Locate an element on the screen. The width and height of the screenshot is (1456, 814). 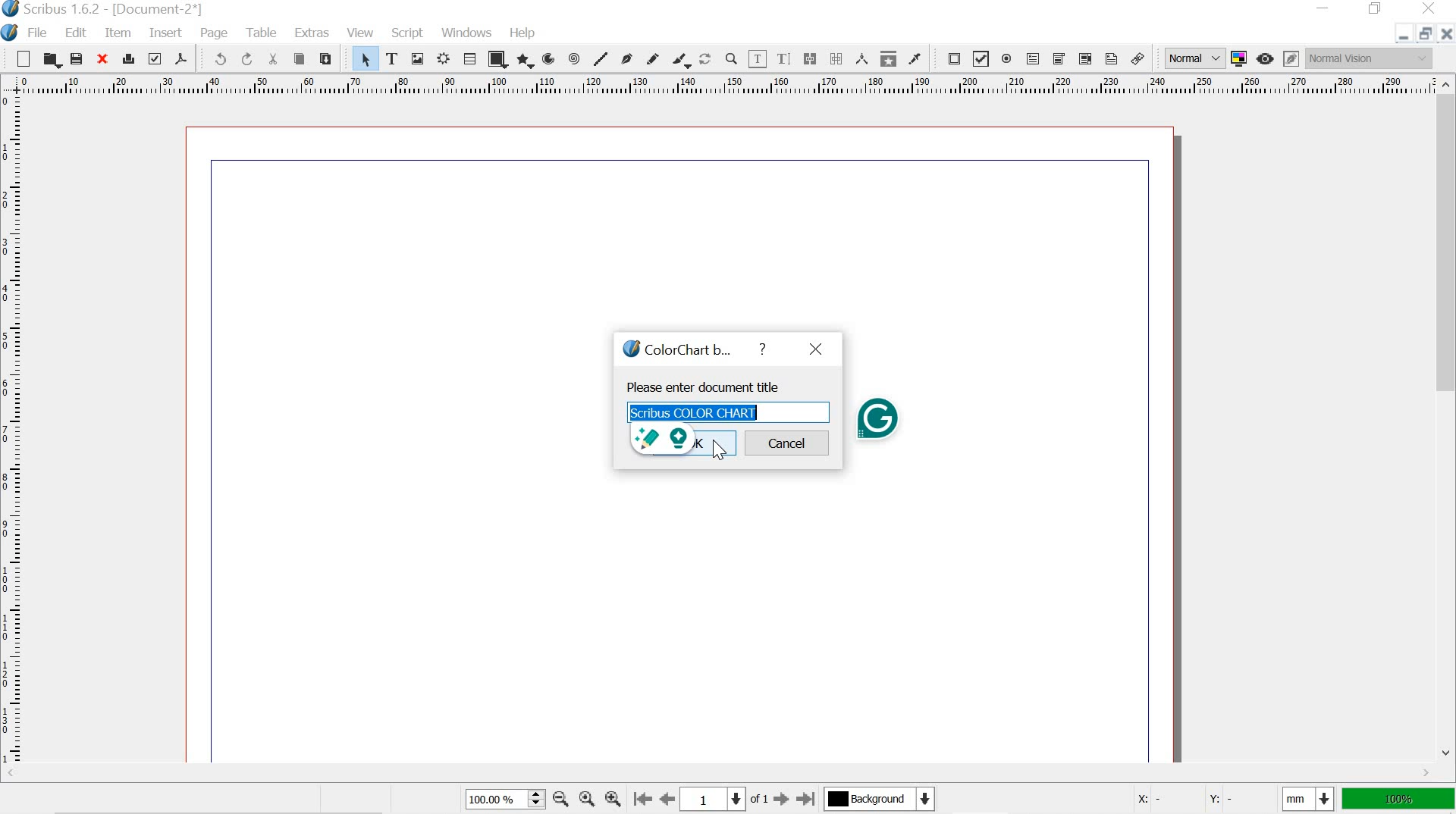
ColorChart b.. is located at coordinates (695, 349).